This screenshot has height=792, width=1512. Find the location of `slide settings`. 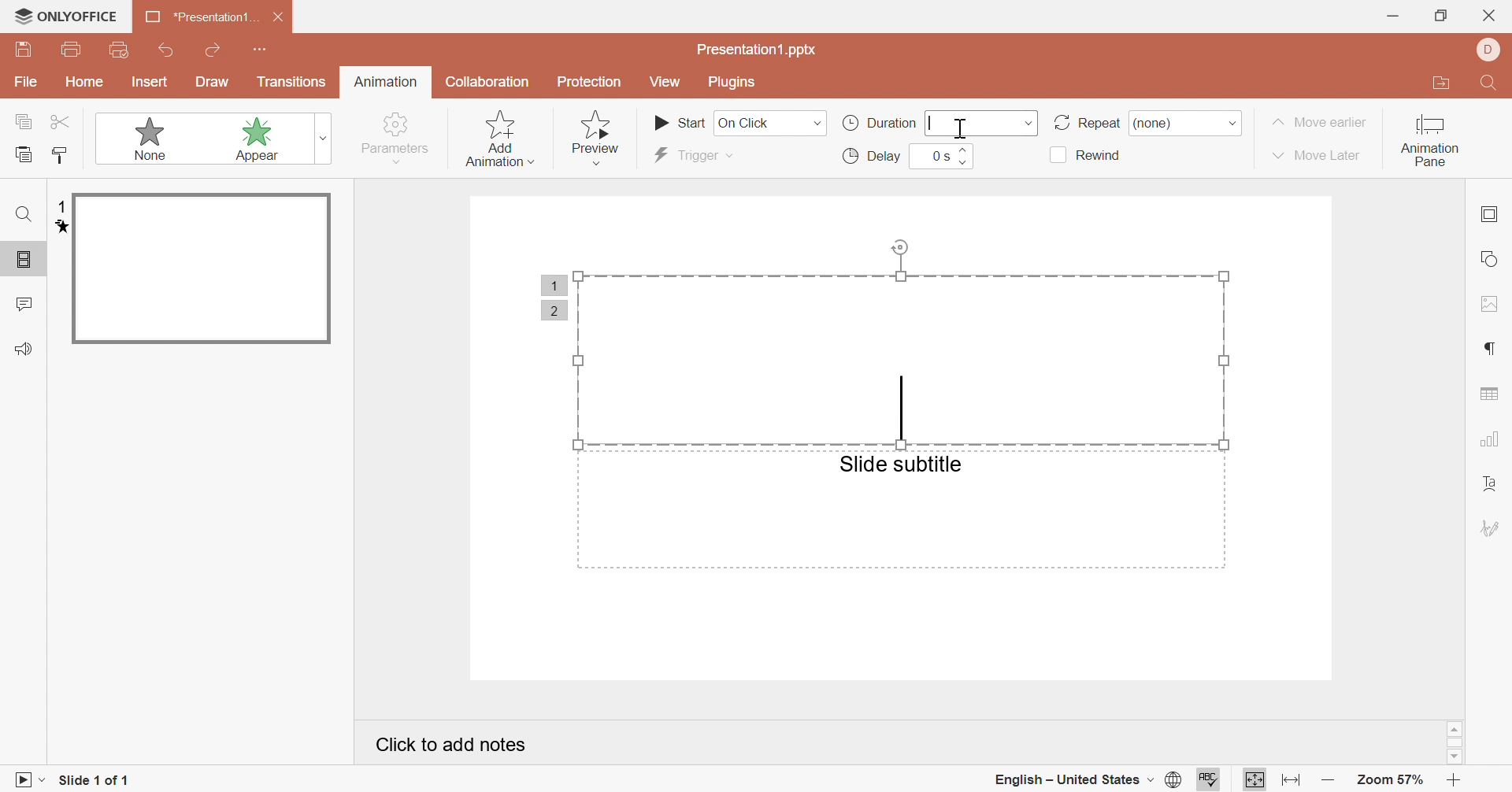

slide settings is located at coordinates (1488, 213).